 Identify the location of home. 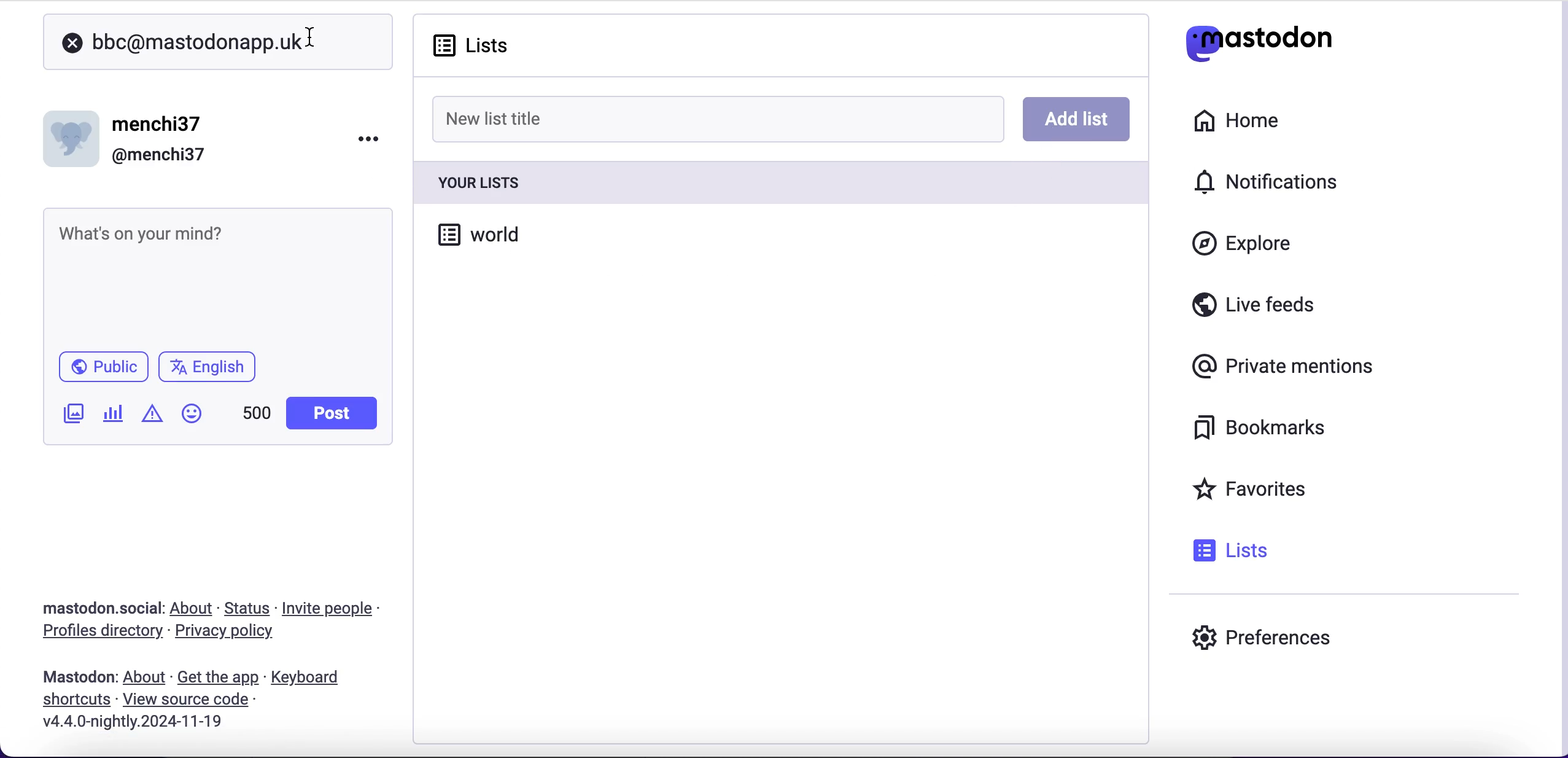
(1234, 121).